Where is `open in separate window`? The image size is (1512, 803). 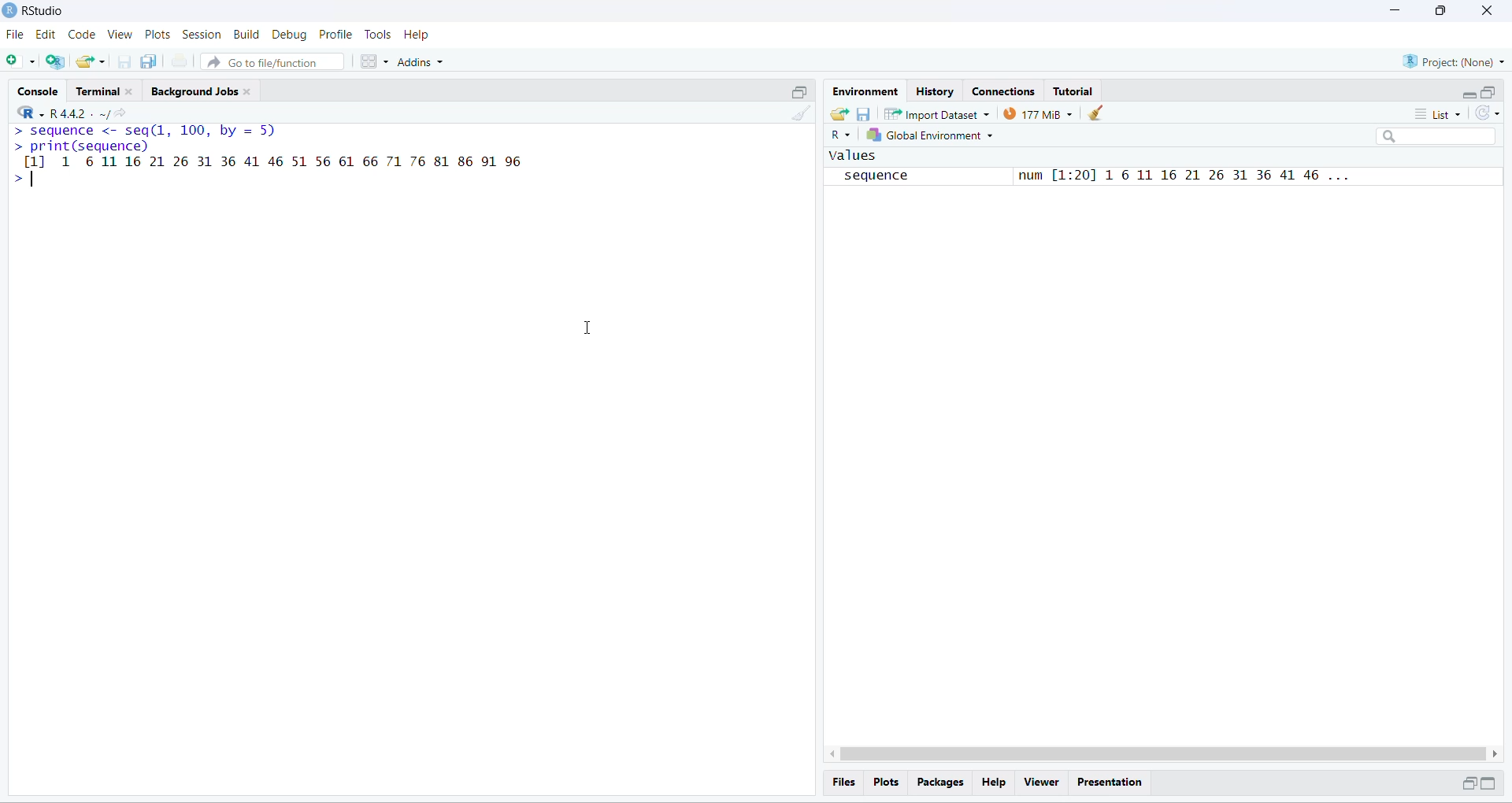
open in separate window is located at coordinates (801, 92).